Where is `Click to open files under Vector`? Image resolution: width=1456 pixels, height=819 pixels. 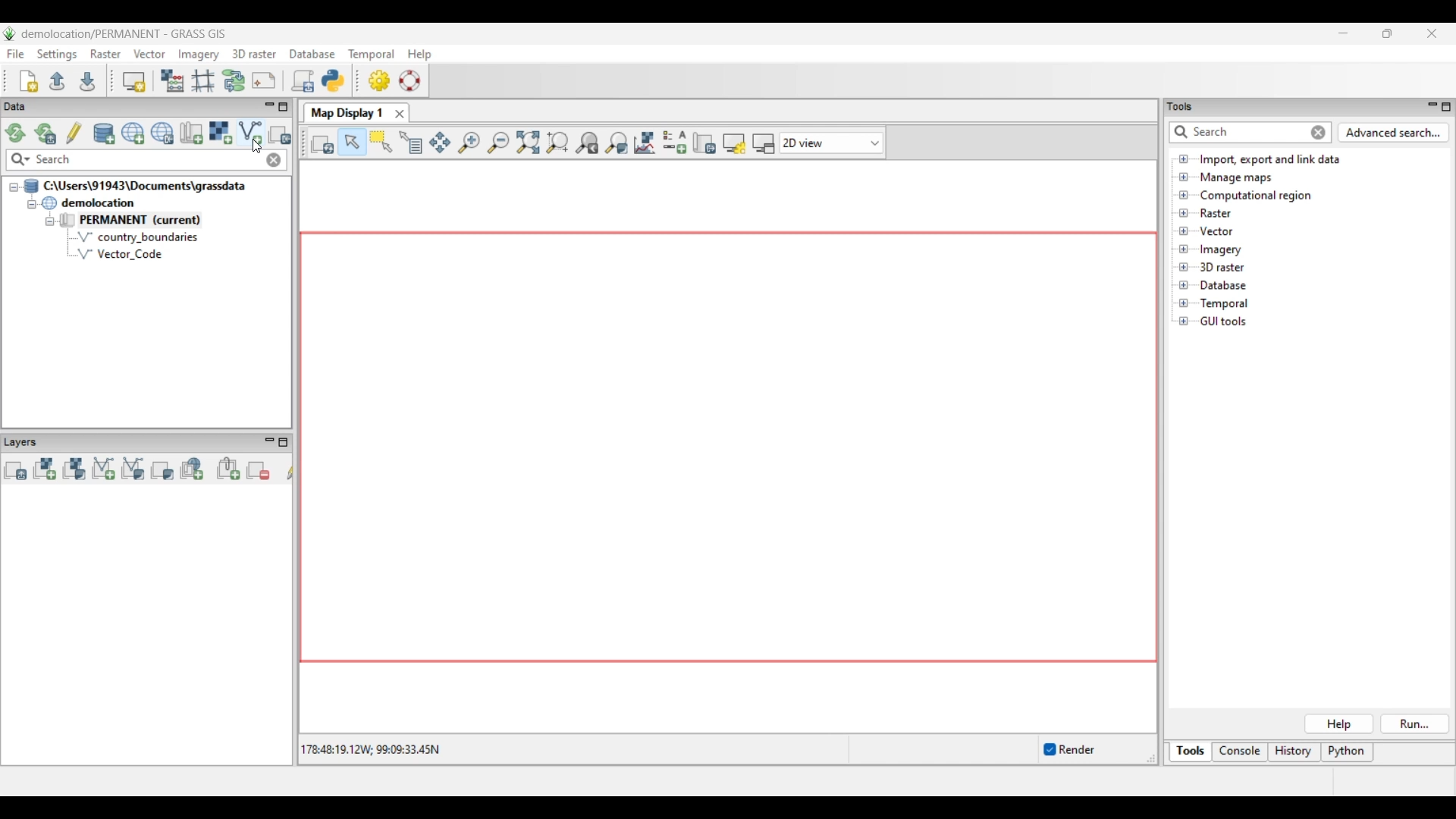
Click to open files under Vector is located at coordinates (1184, 231).